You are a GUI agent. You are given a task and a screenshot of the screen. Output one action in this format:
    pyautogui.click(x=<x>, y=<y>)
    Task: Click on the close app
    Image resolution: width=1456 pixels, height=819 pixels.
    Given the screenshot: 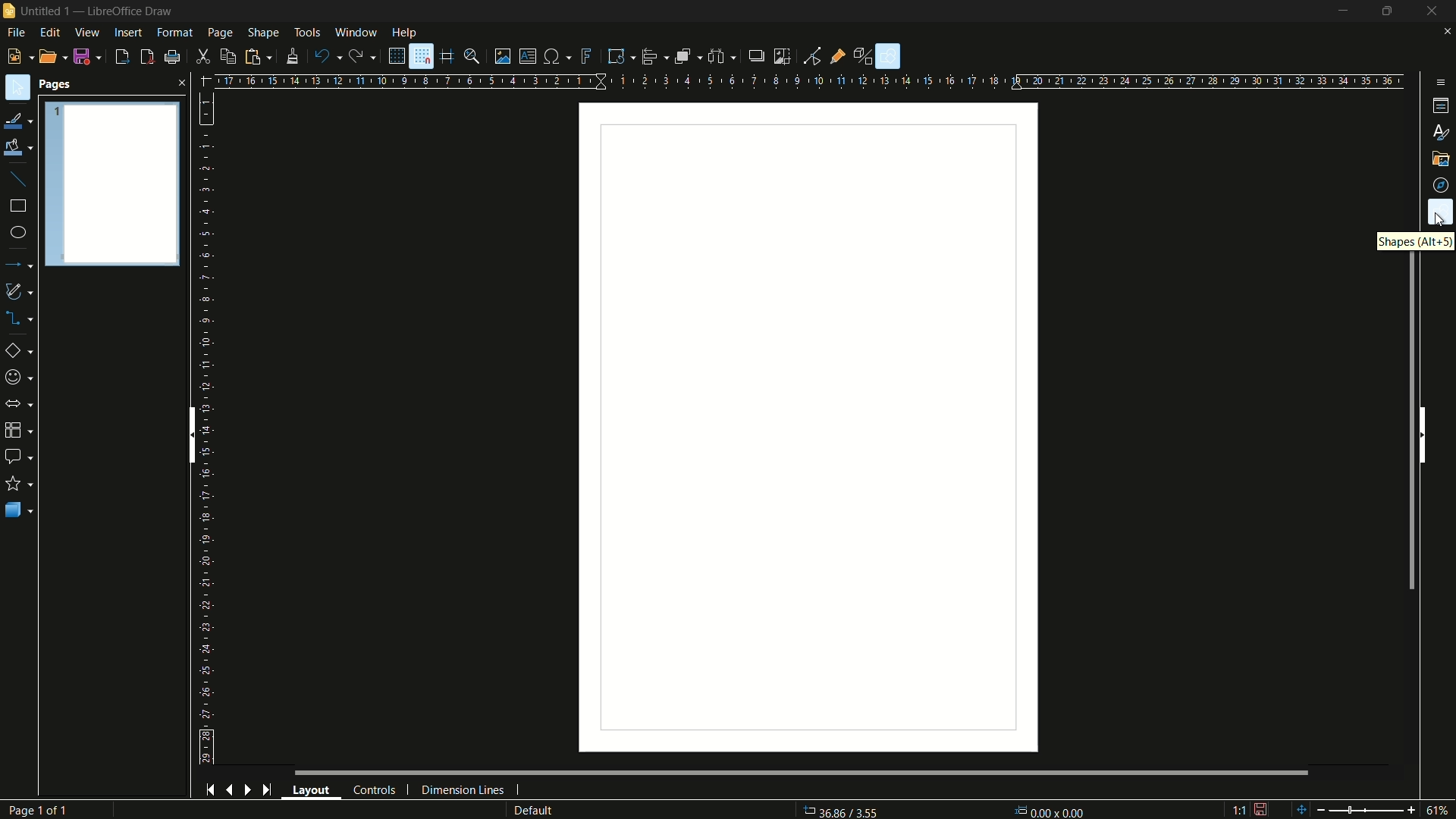 What is the action you would take?
    pyautogui.click(x=1436, y=11)
    